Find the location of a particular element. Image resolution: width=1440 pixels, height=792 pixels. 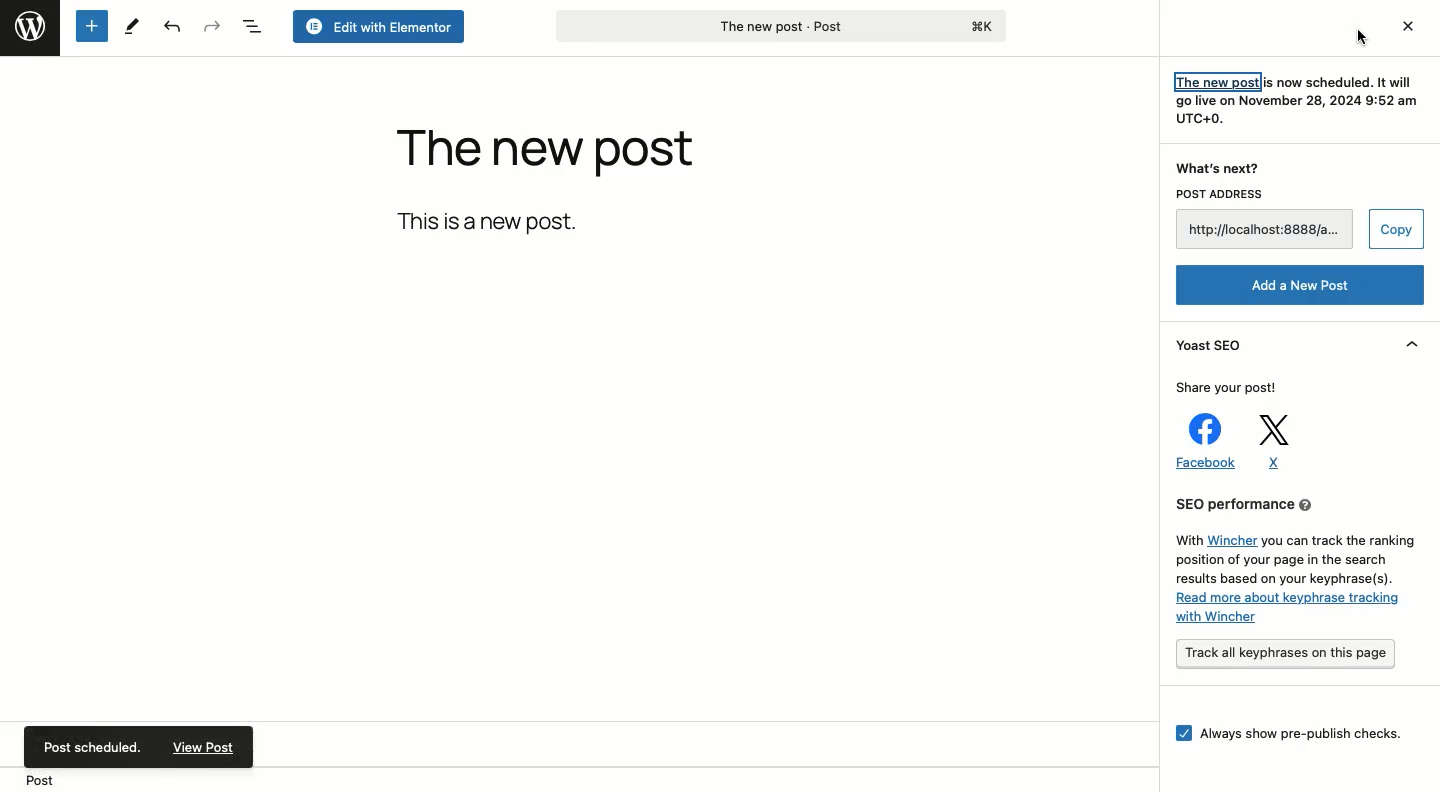

Edit with elementor is located at coordinates (379, 27).